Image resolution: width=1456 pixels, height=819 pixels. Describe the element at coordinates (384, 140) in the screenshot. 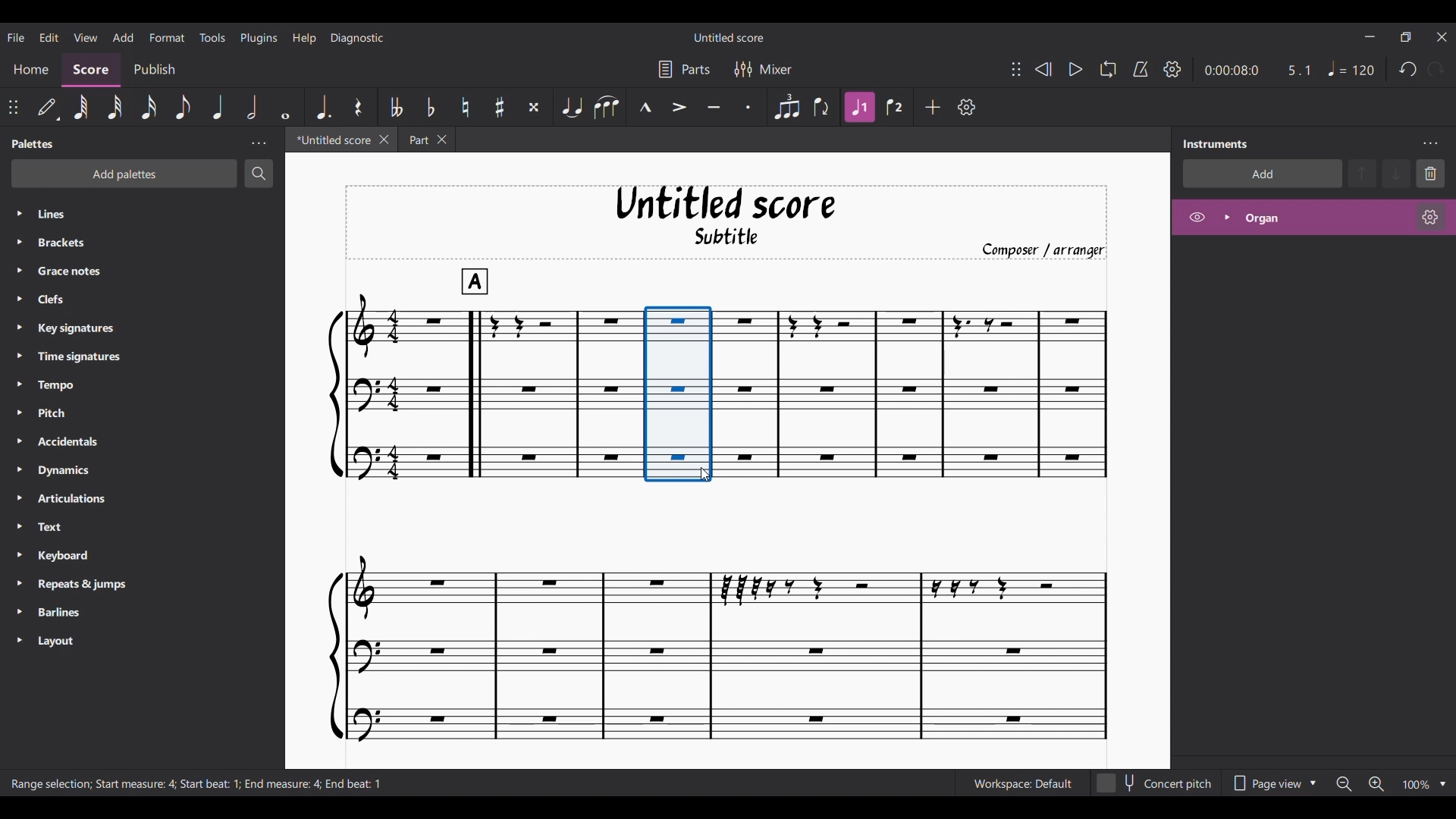

I see `Close Untitled tab` at that location.